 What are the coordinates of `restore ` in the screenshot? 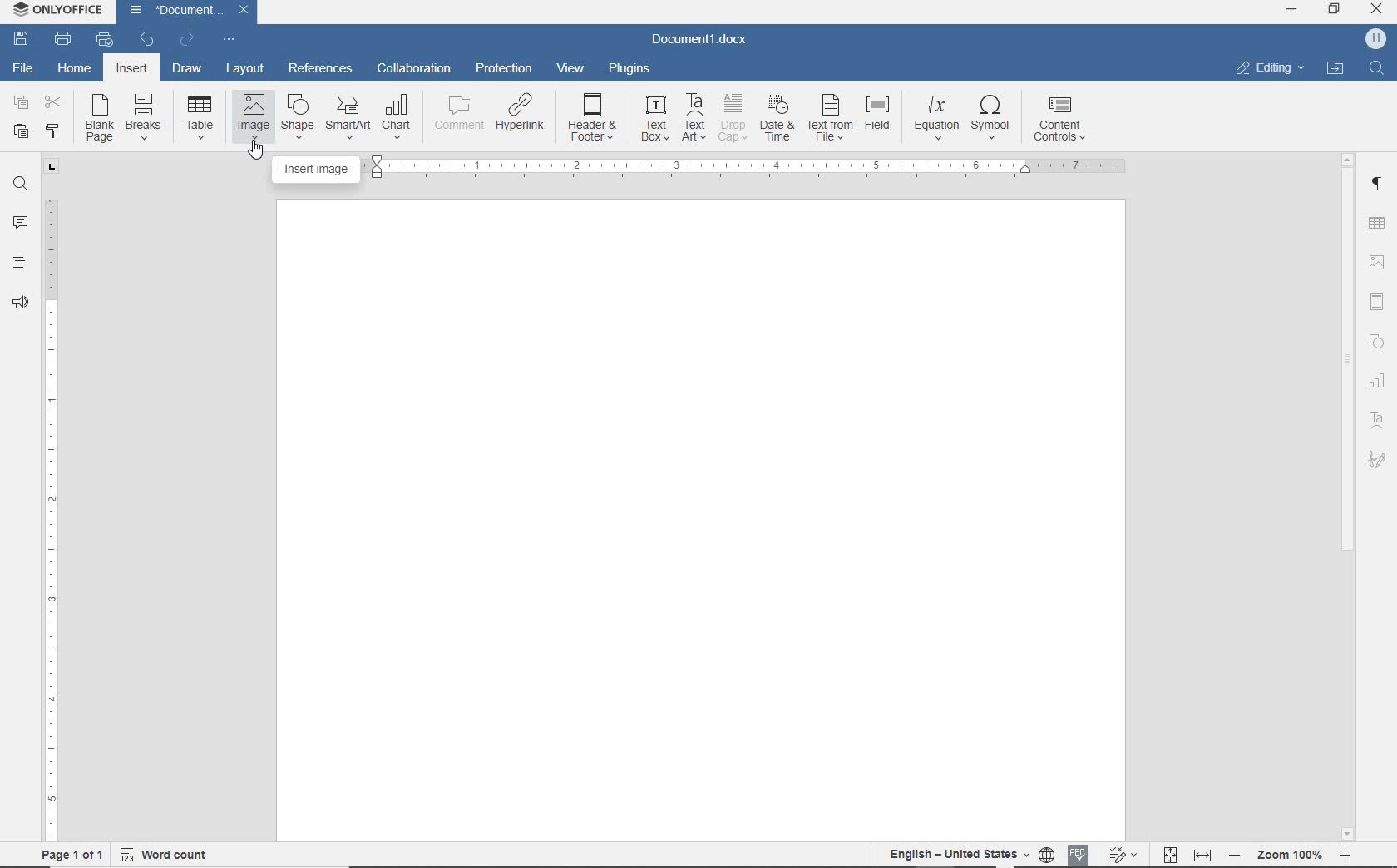 It's located at (1334, 9).